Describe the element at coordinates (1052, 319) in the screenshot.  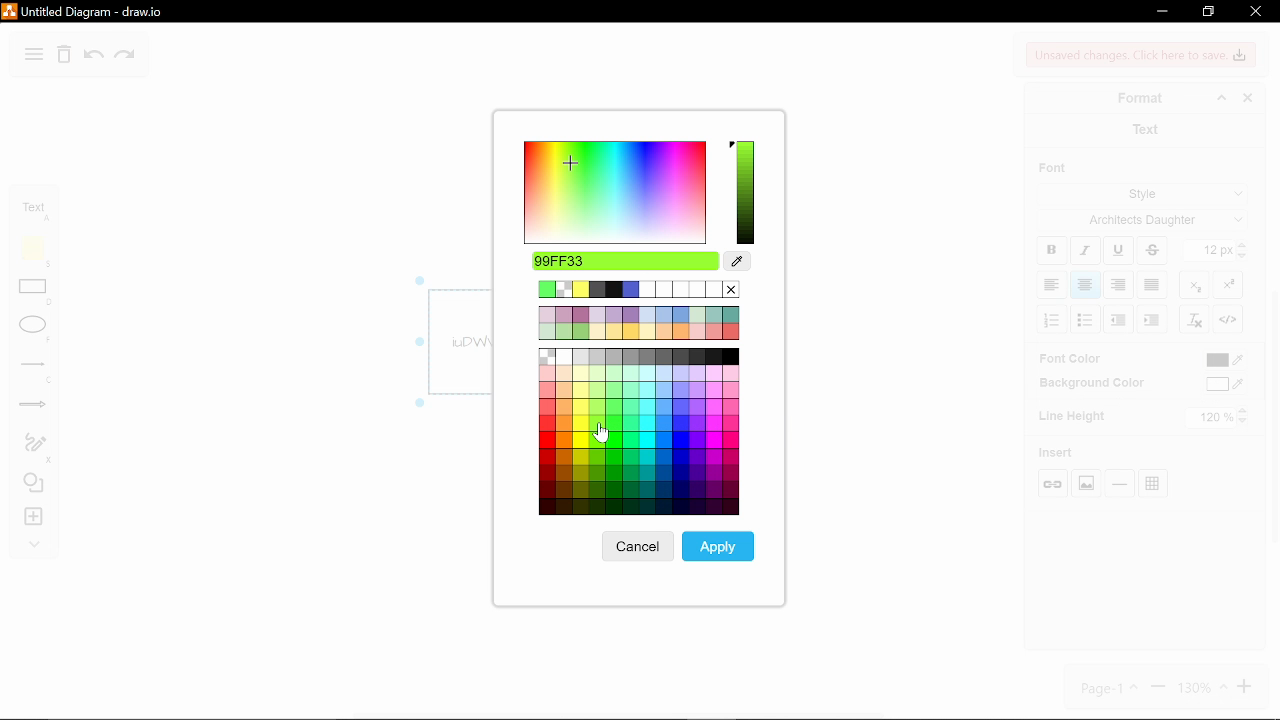
I see `numbered list` at that location.